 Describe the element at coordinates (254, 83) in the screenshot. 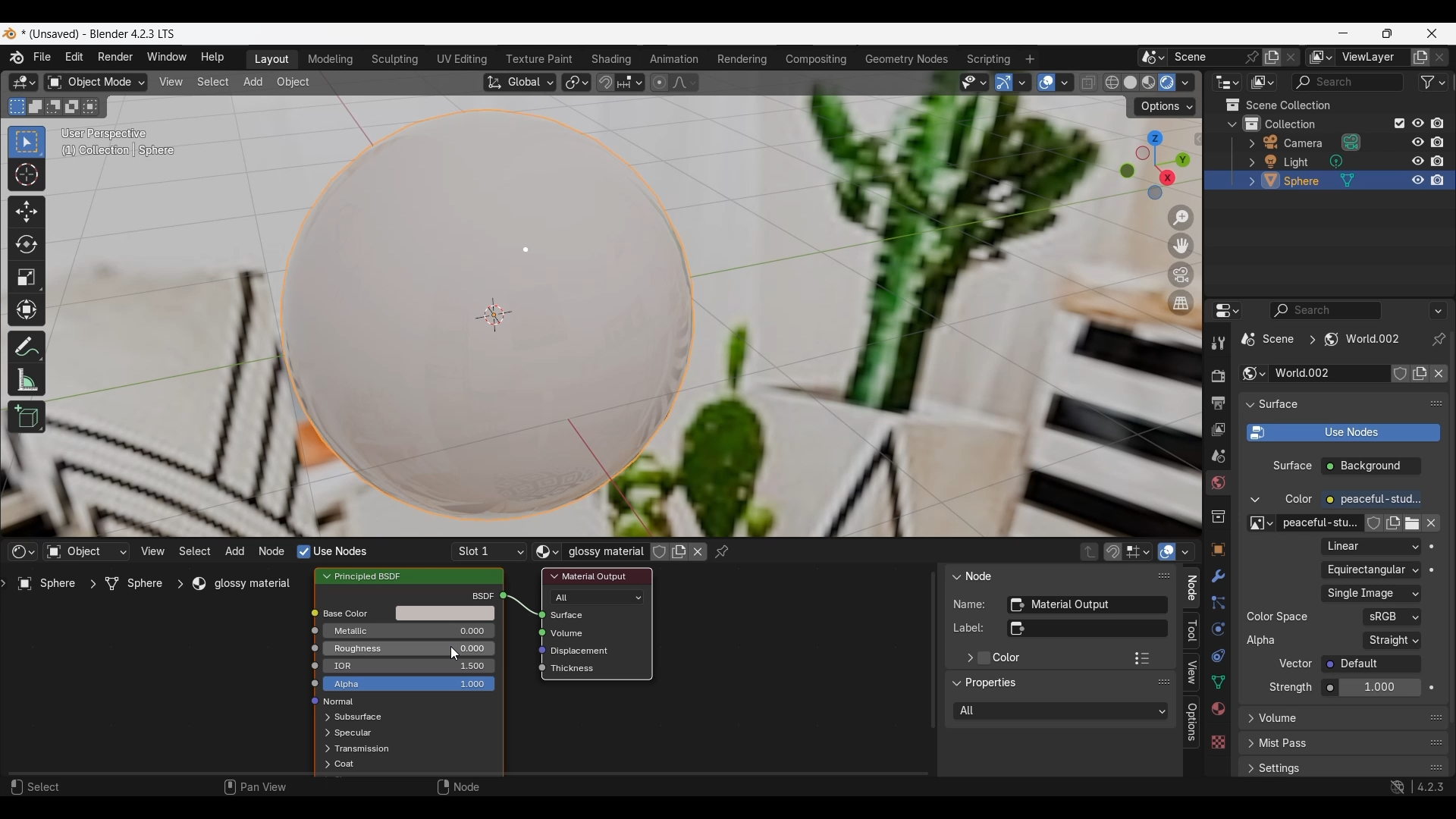

I see `Add menu` at that location.